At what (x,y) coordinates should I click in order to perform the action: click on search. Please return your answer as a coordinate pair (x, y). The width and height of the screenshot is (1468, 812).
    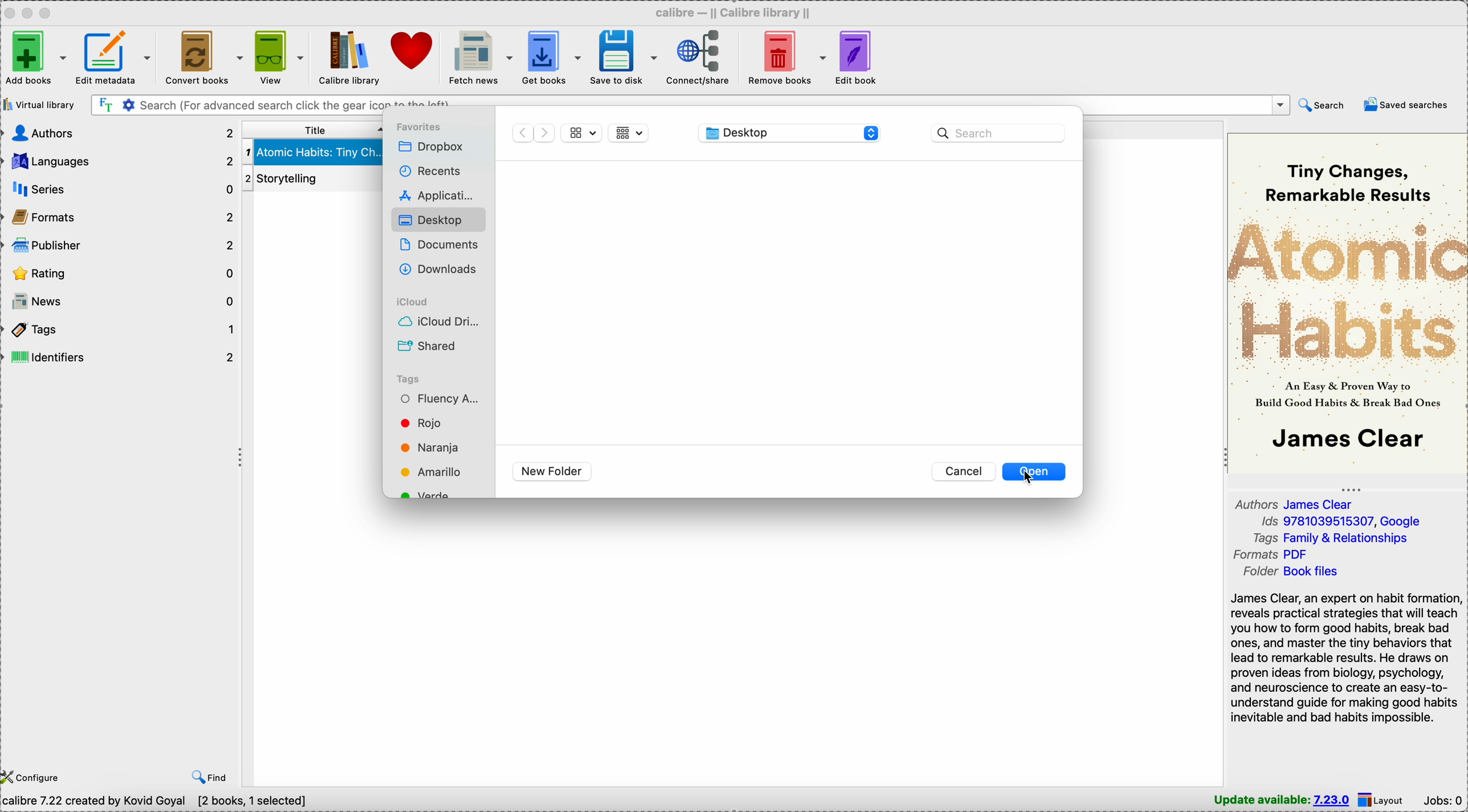
    Looking at the image, I should click on (1320, 105).